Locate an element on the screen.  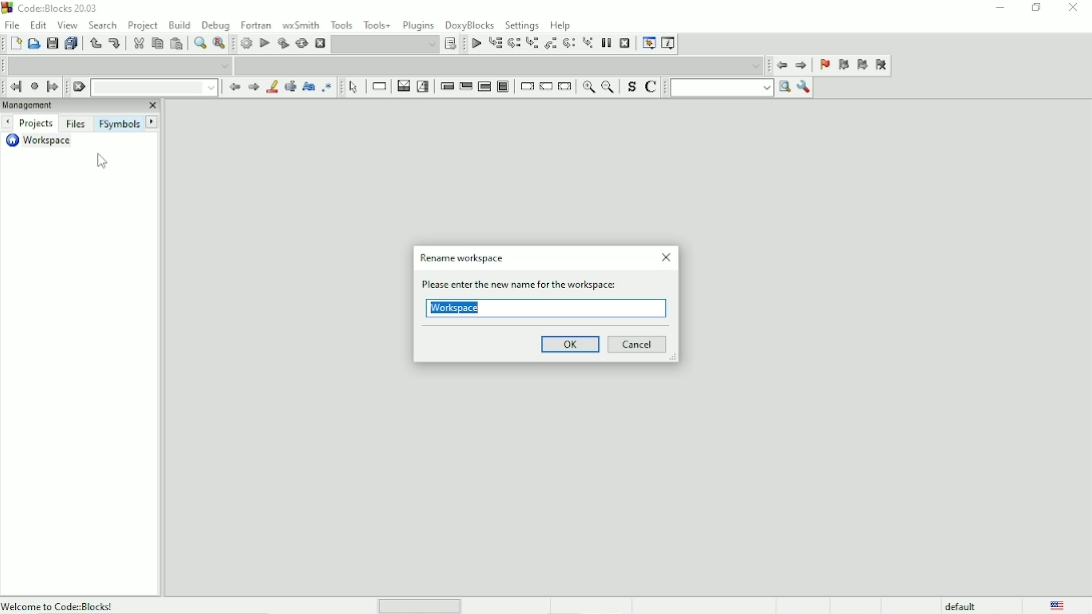
Previous bookmark is located at coordinates (843, 67).